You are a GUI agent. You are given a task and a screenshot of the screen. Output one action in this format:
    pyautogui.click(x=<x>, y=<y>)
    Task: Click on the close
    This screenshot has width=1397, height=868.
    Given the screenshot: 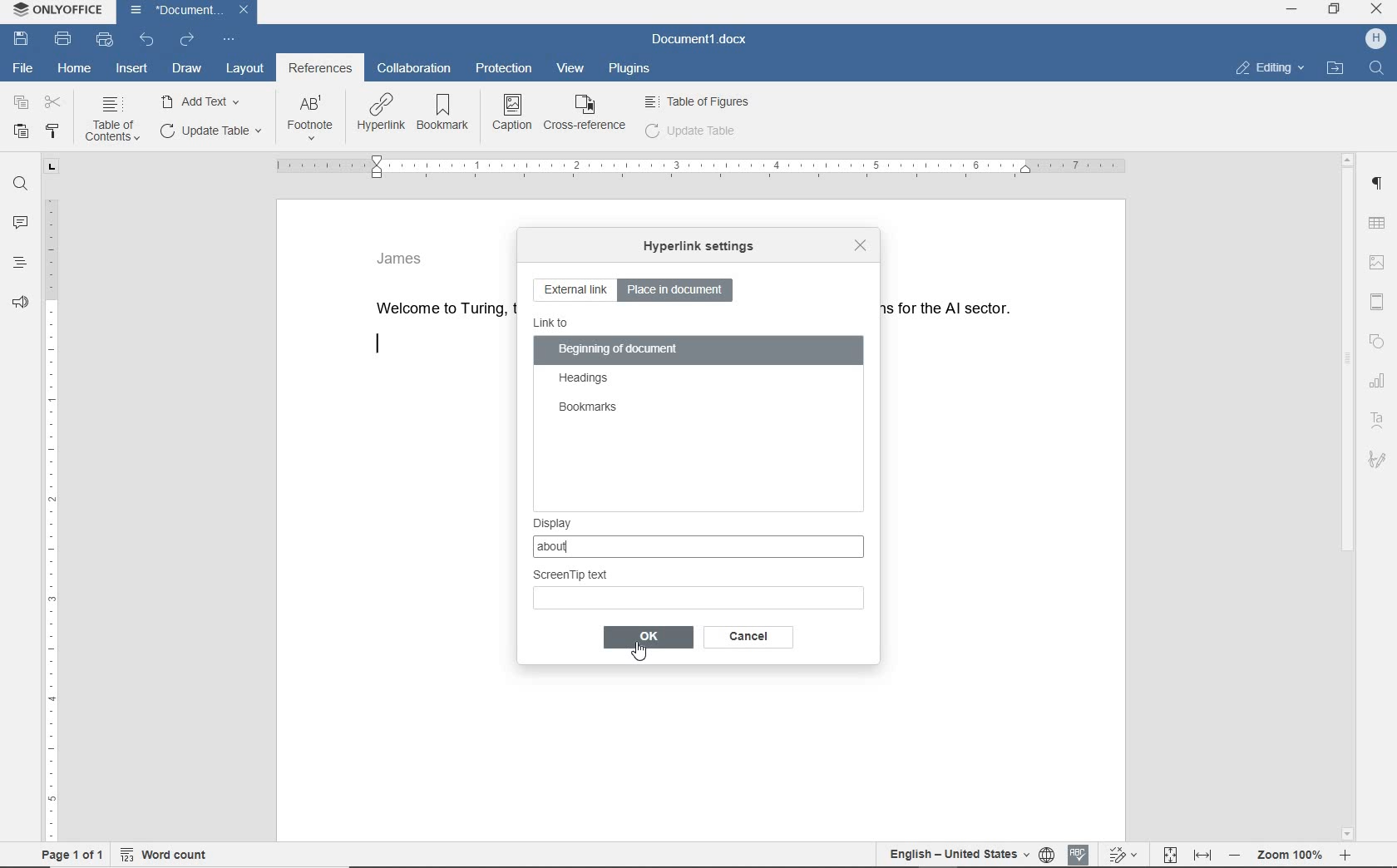 What is the action you would take?
    pyautogui.click(x=858, y=244)
    